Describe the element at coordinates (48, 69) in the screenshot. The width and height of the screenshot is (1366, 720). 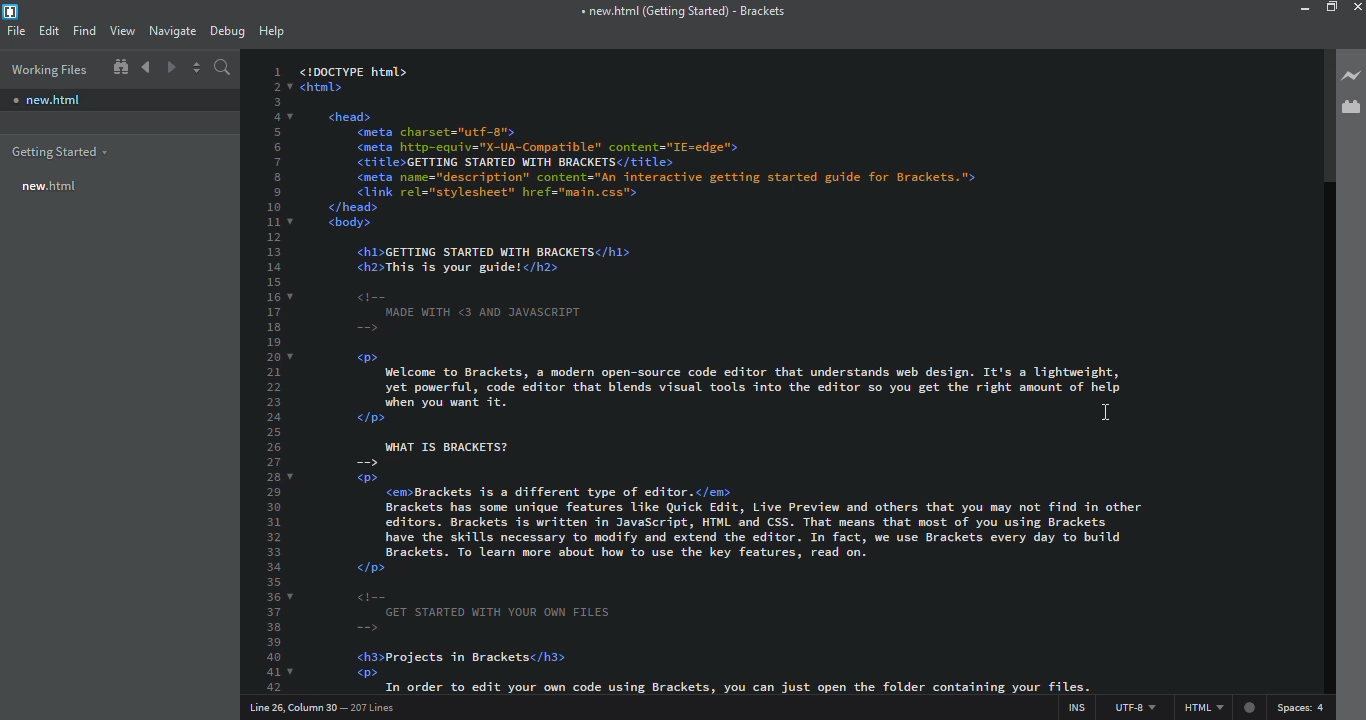
I see `working files` at that location.